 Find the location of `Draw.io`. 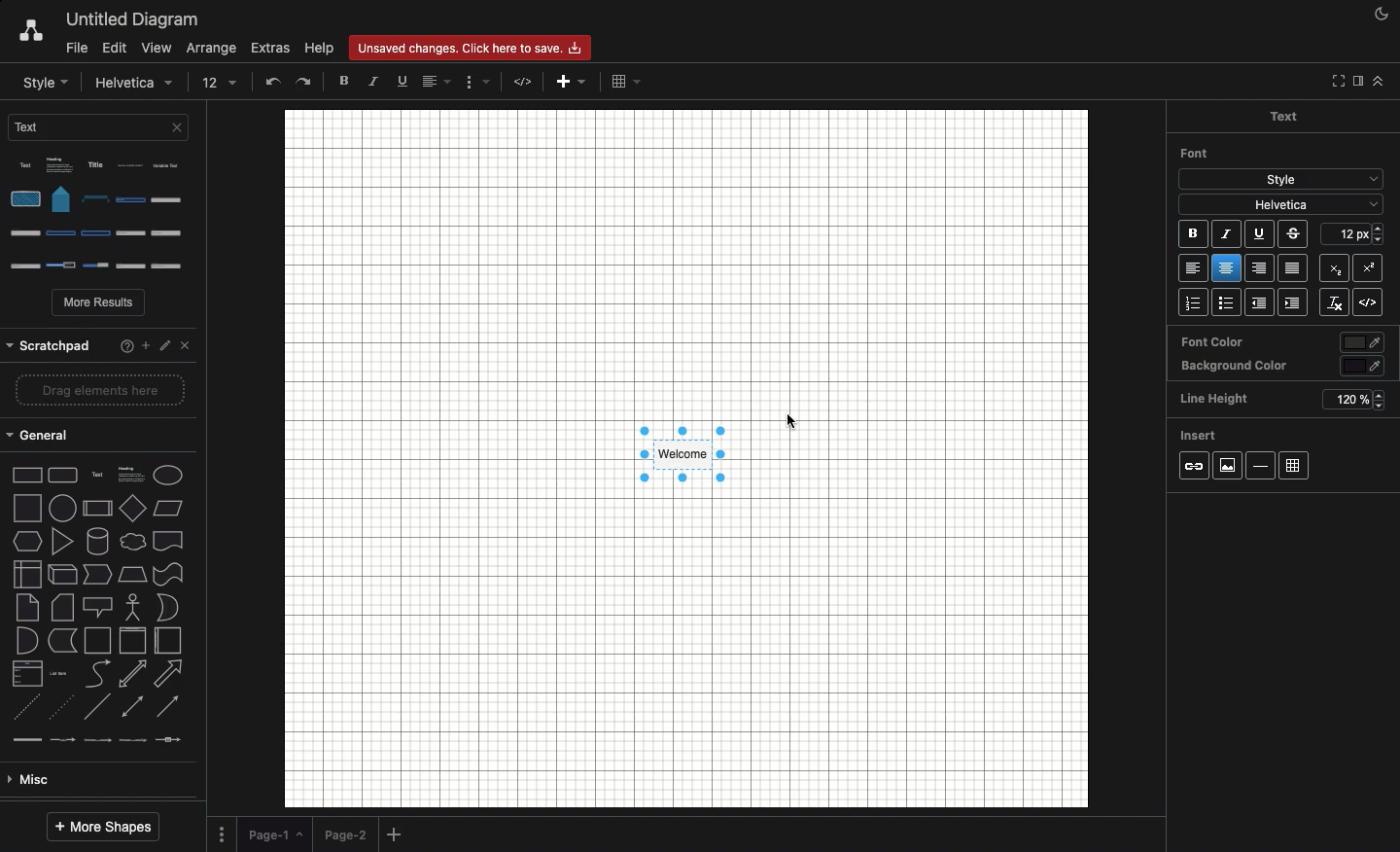

Draw.io is located at coordinates (30, 32).